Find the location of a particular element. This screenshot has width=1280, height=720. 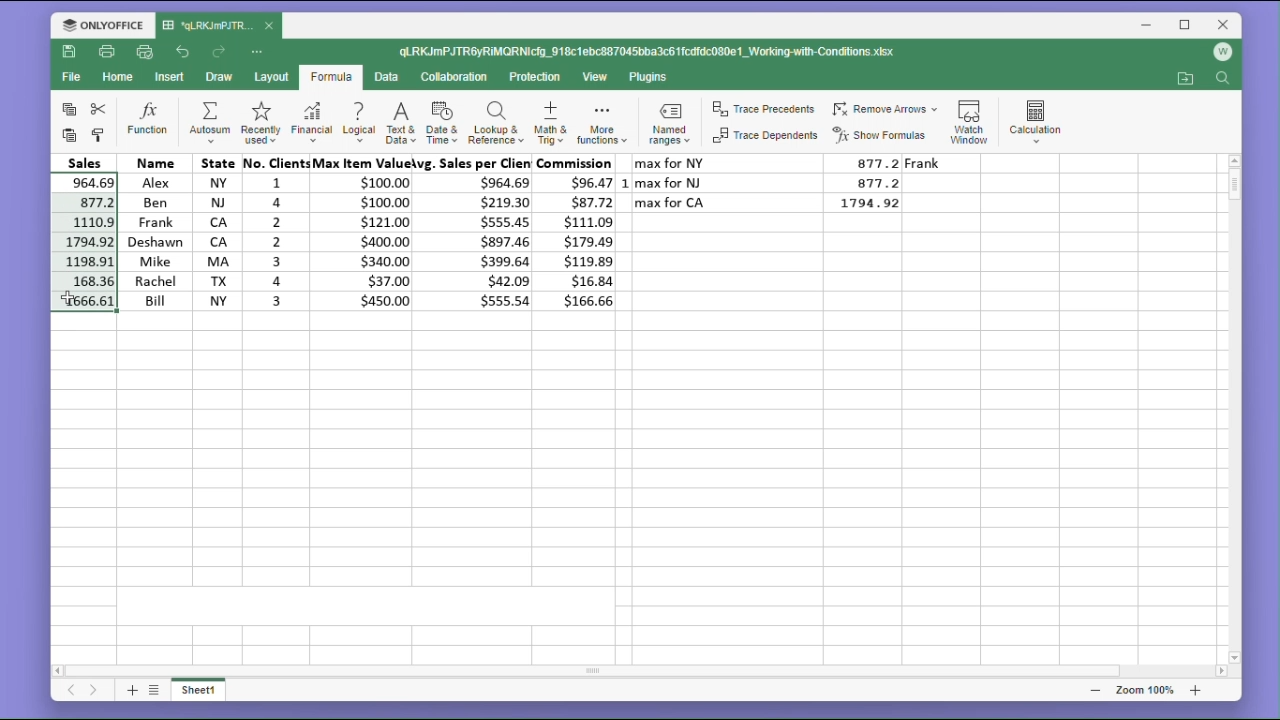

maths & trig is located at coordinates (549, 124).